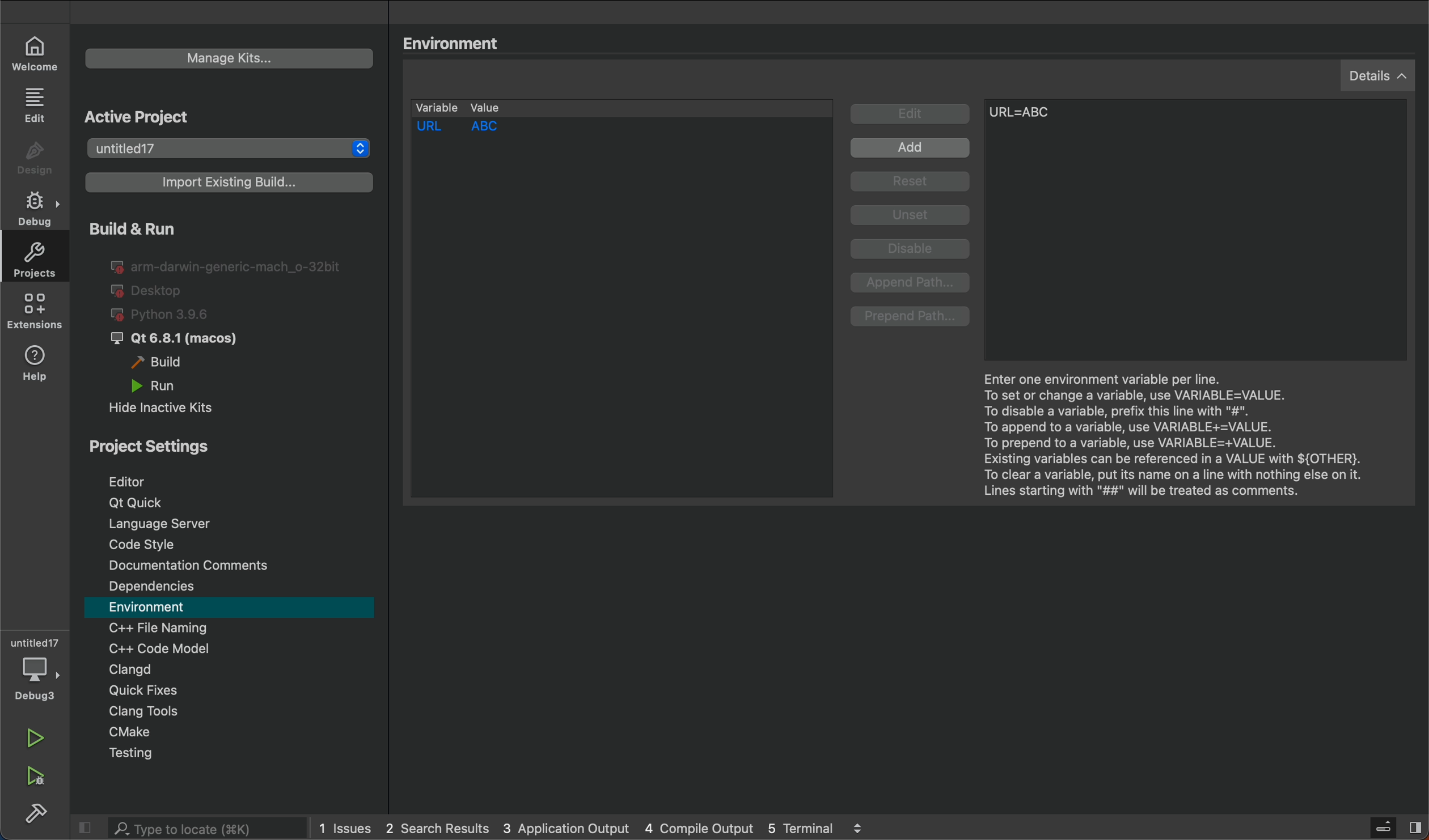  I want to click on Edit, so click(912, 115).